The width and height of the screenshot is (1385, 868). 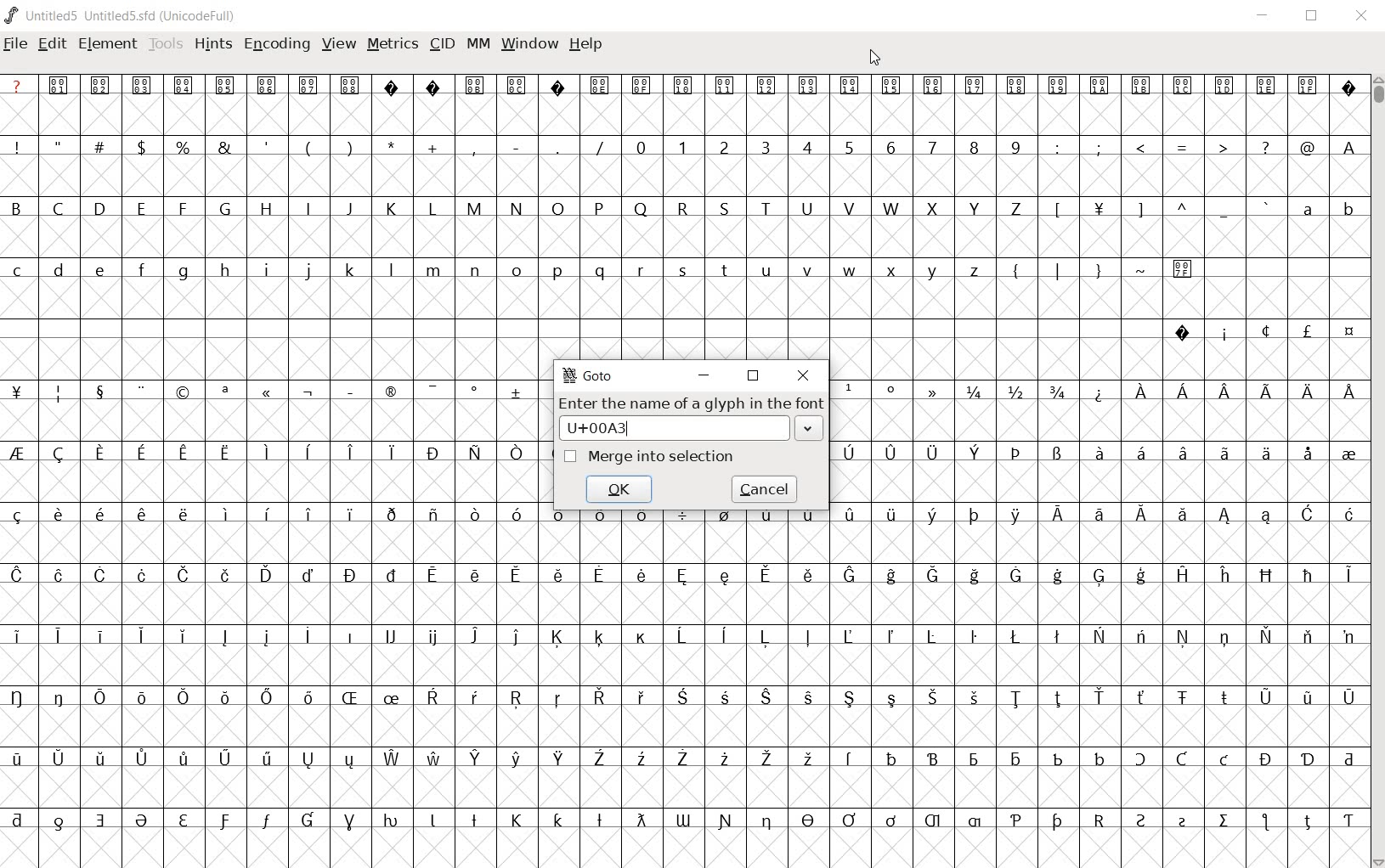 What do you see at coordinates (1266, 17) in the screenshot?
I see `minimize` at bounding box center [1266, 17].